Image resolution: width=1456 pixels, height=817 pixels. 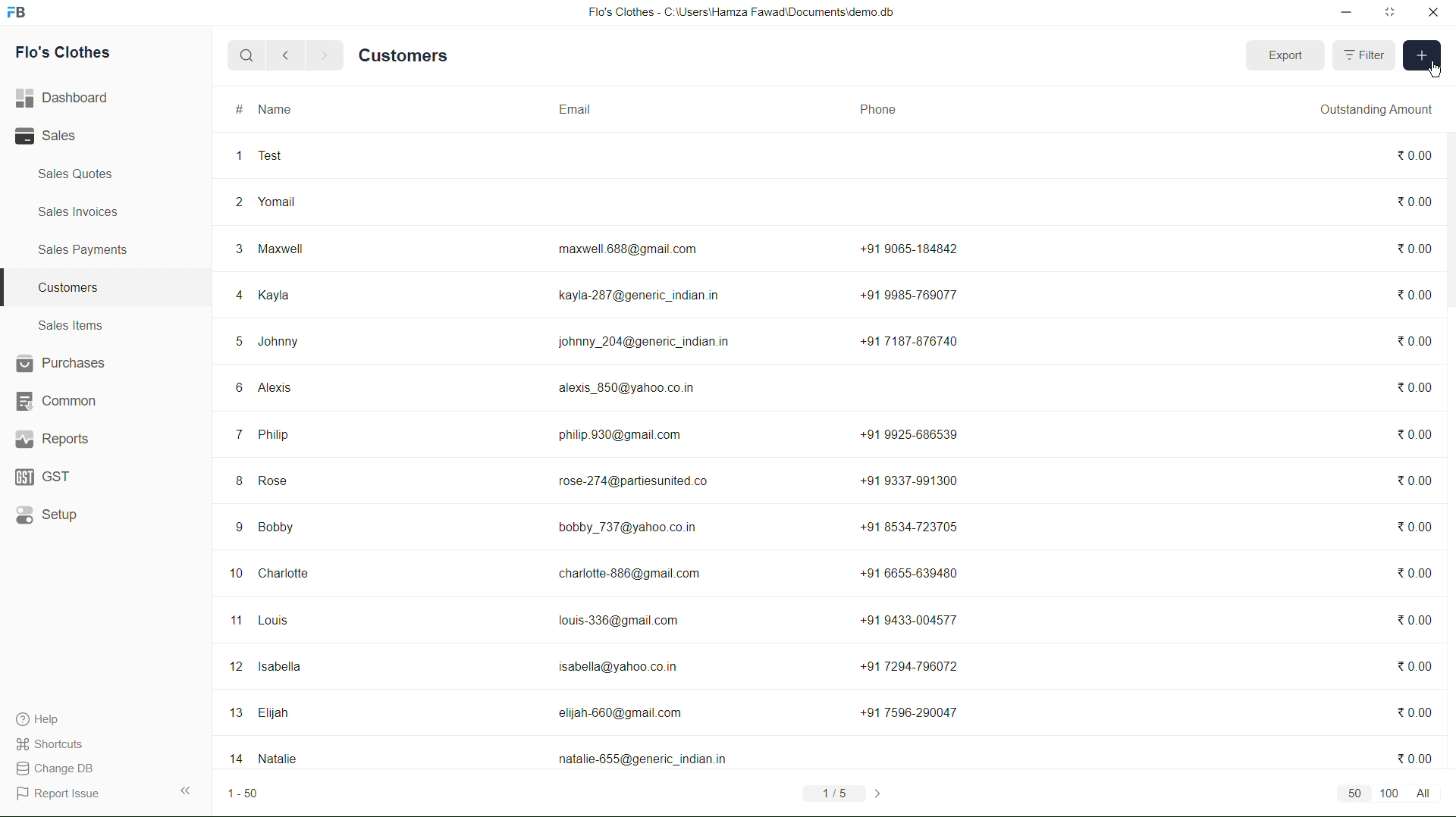 I want to click on 0.00, so click(x=1412, y=709).